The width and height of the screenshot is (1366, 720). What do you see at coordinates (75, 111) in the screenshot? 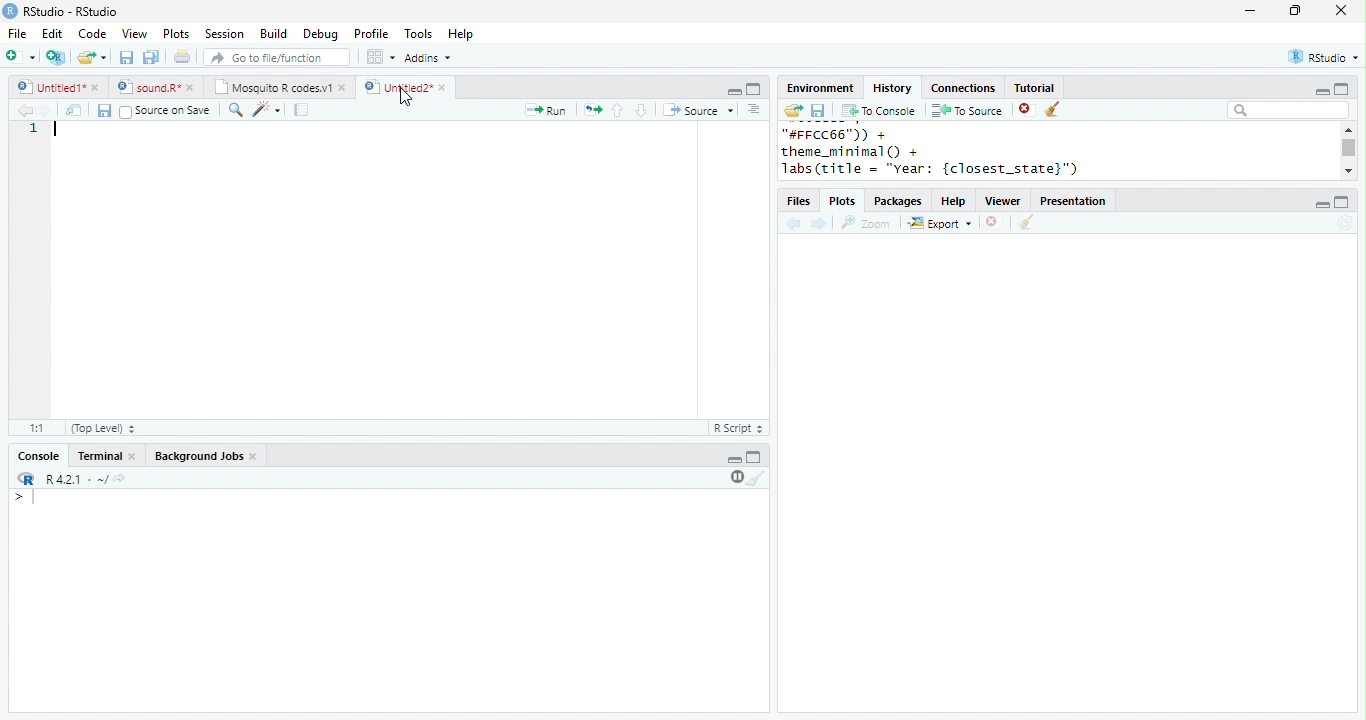
I see `show in new window` at bounding box center [75, 111].